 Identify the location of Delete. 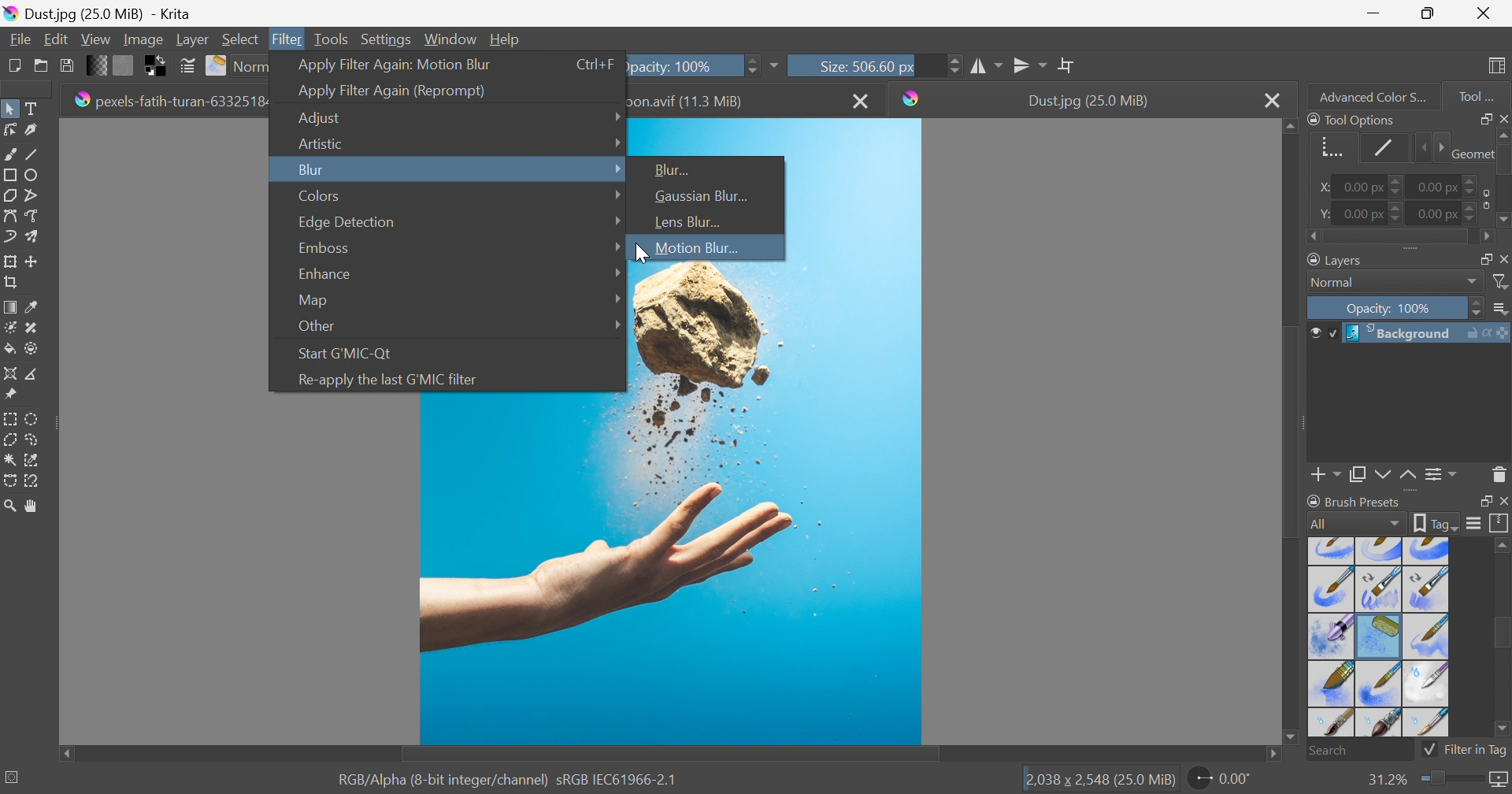
(1499, 473).